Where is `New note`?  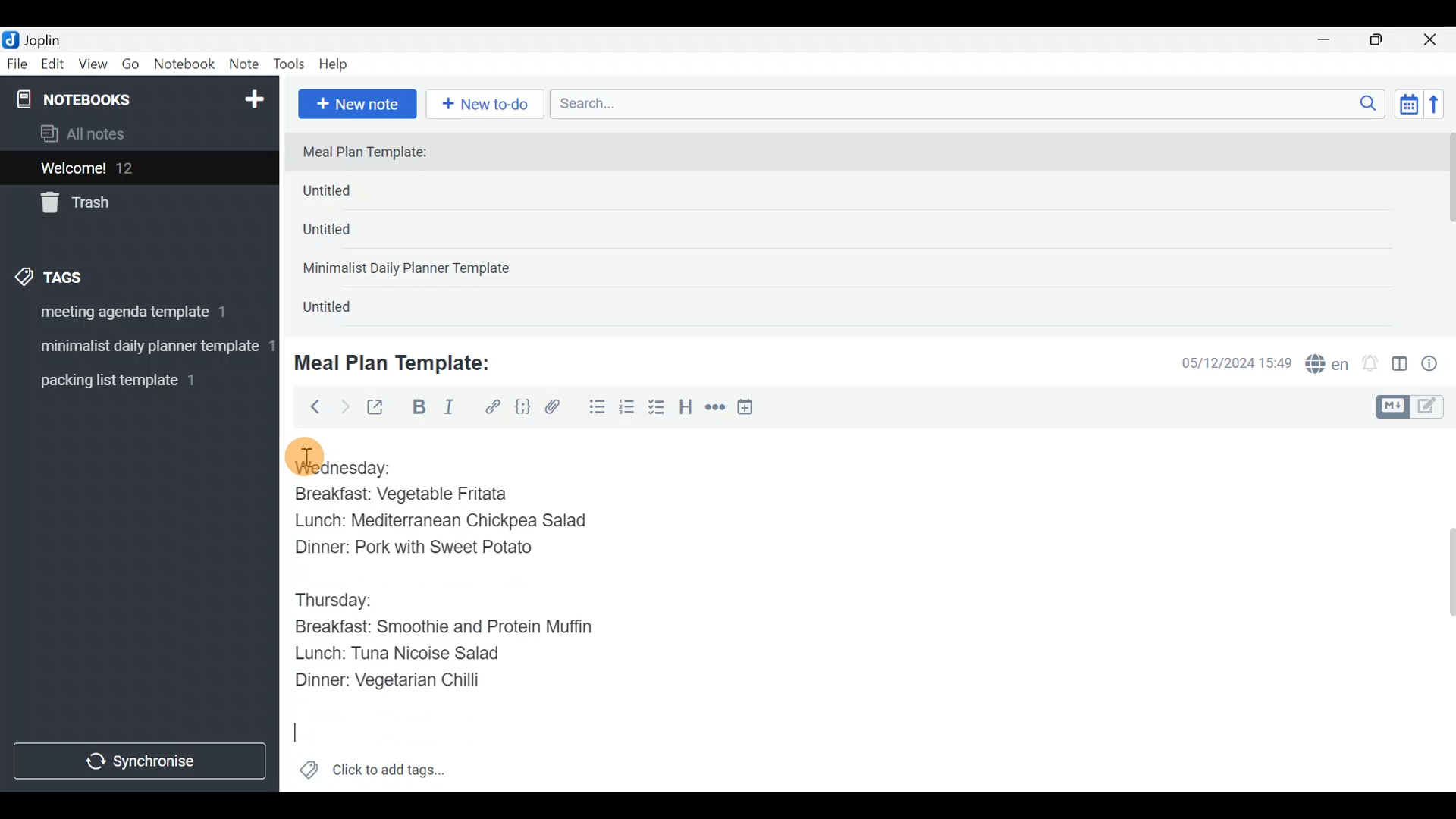 New note is located at coordinates (356, 102).